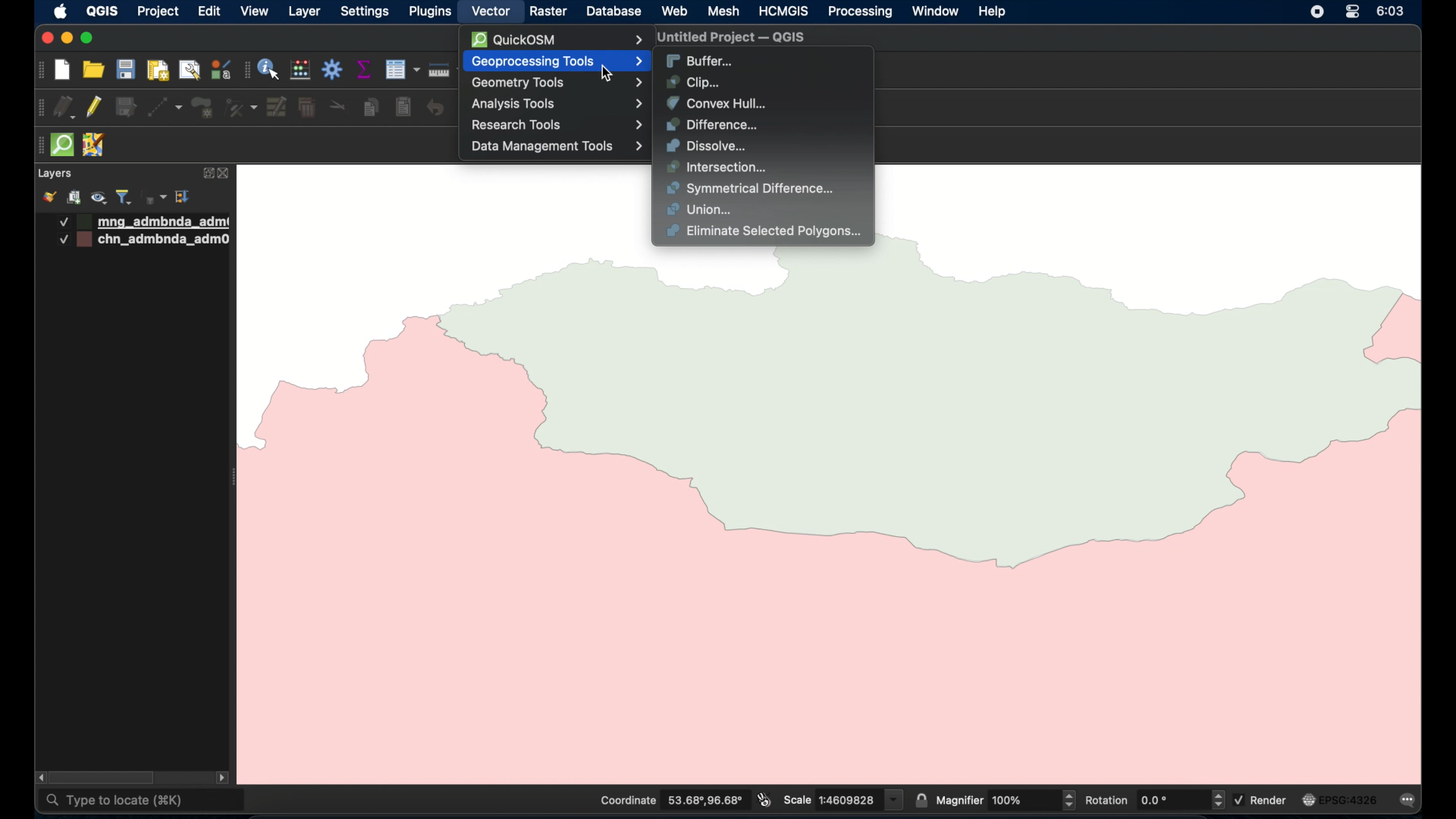 The image size is (1456, 819). Describe the element at coordinates (555, 39) in the screenshot. I see `` at that location.